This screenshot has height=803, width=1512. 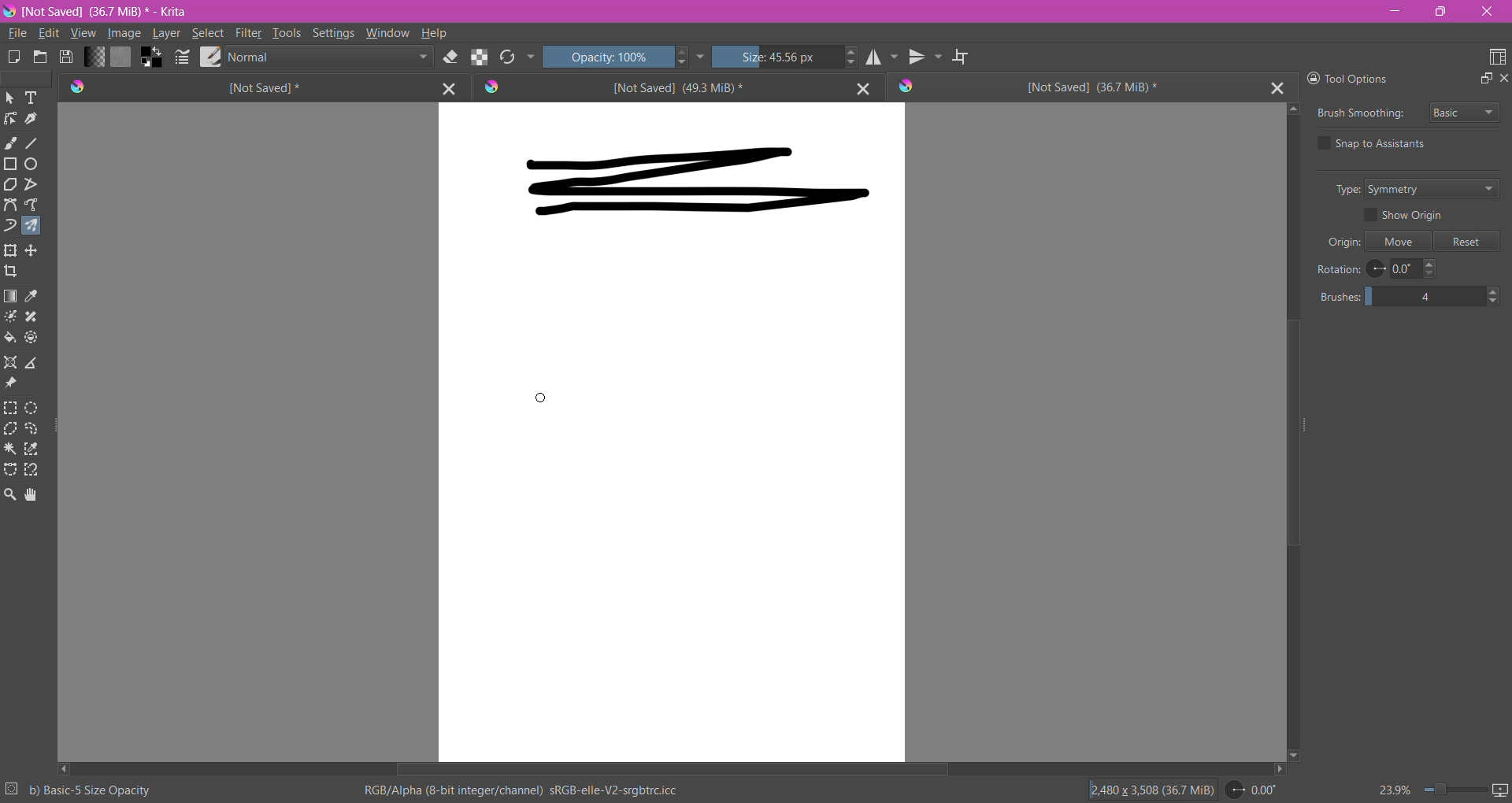 I want to click on Close Tab, so click(x=446, y=87).